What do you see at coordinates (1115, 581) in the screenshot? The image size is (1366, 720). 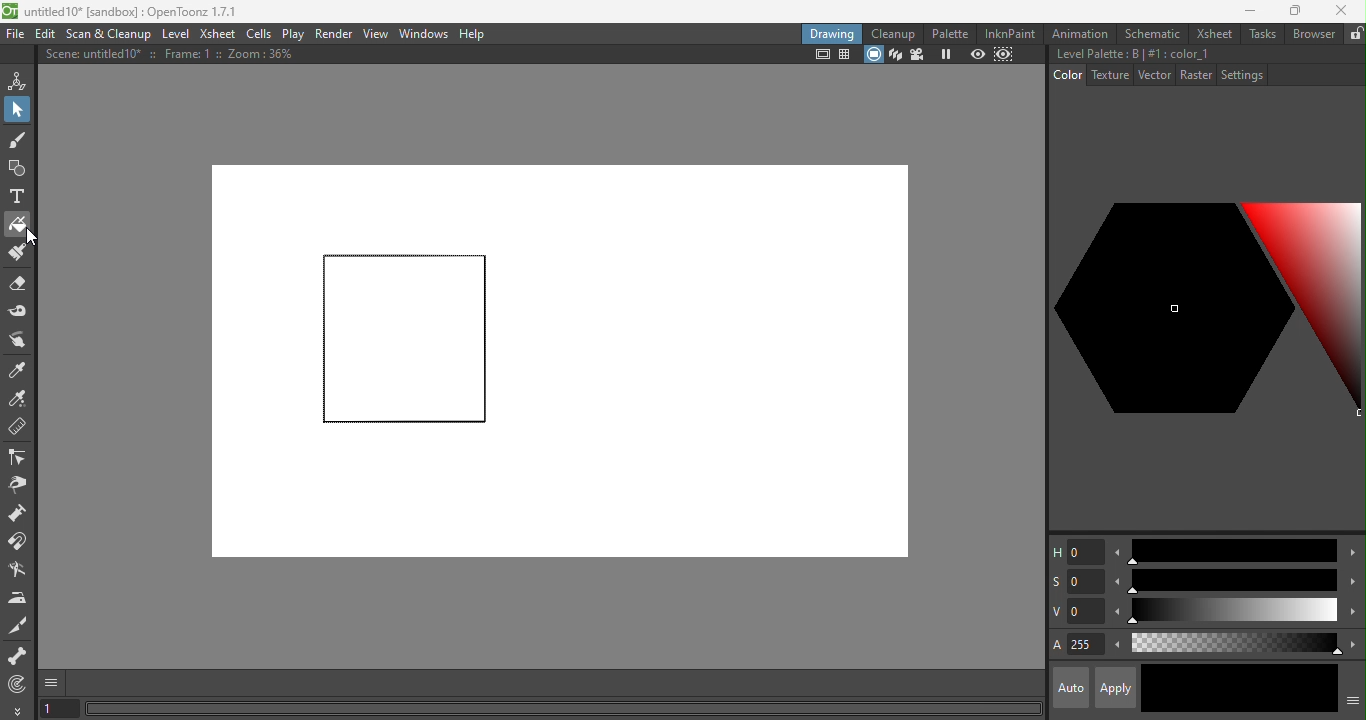 I see `Decrease` at bounding box center [1115, 581].